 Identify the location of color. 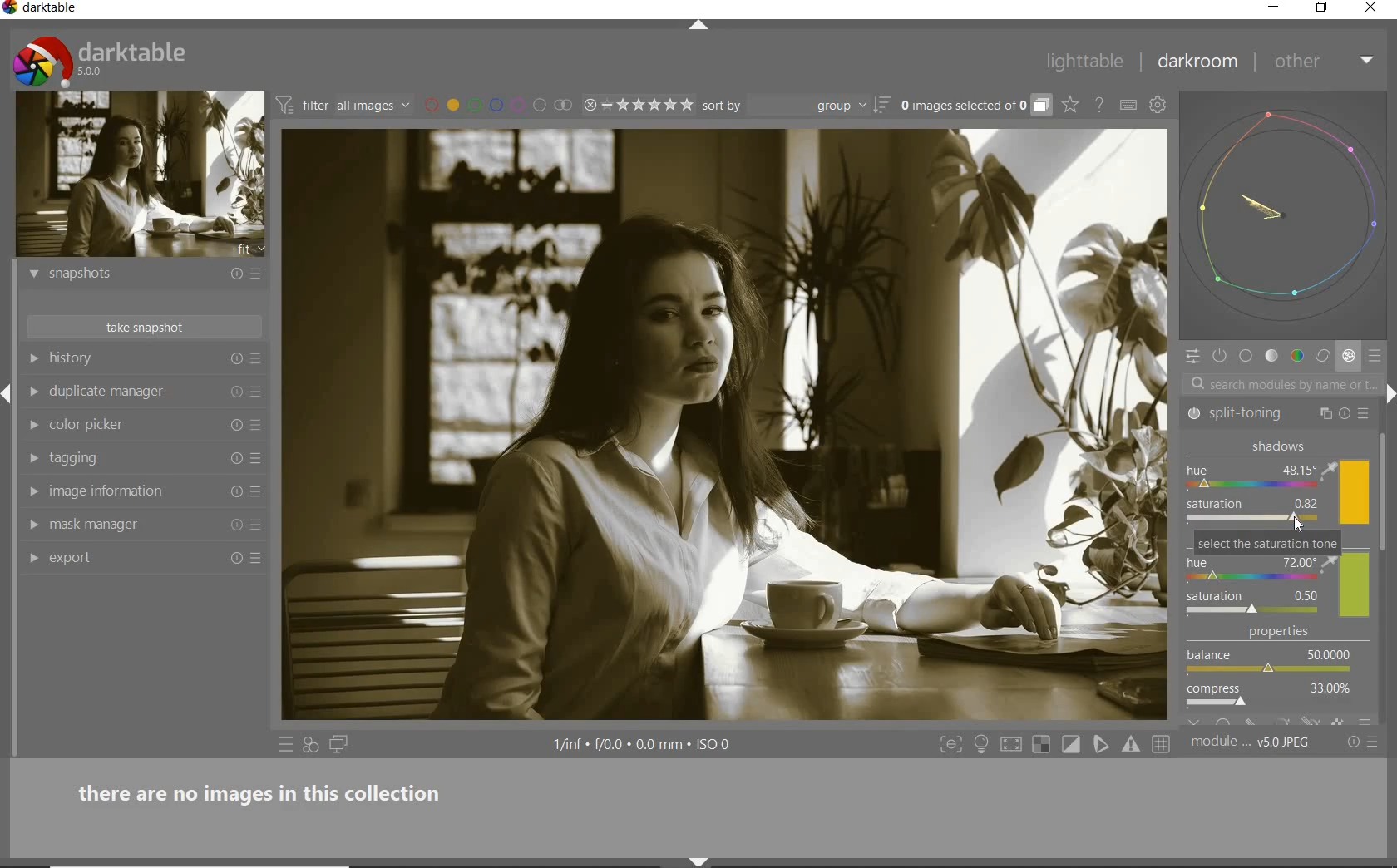
(1296, 357).